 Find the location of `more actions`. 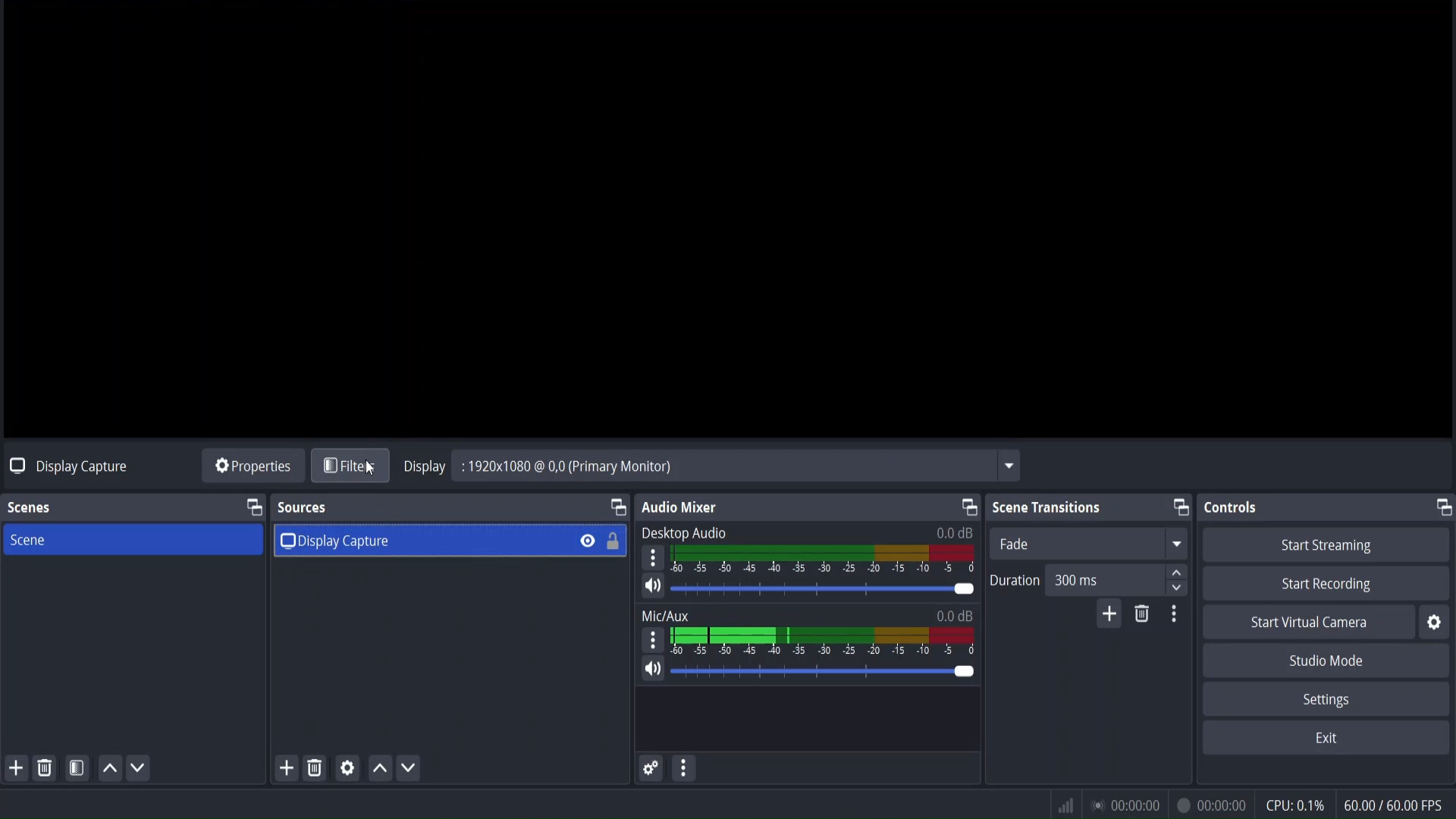

more actions is located at coordinates (686, 769).